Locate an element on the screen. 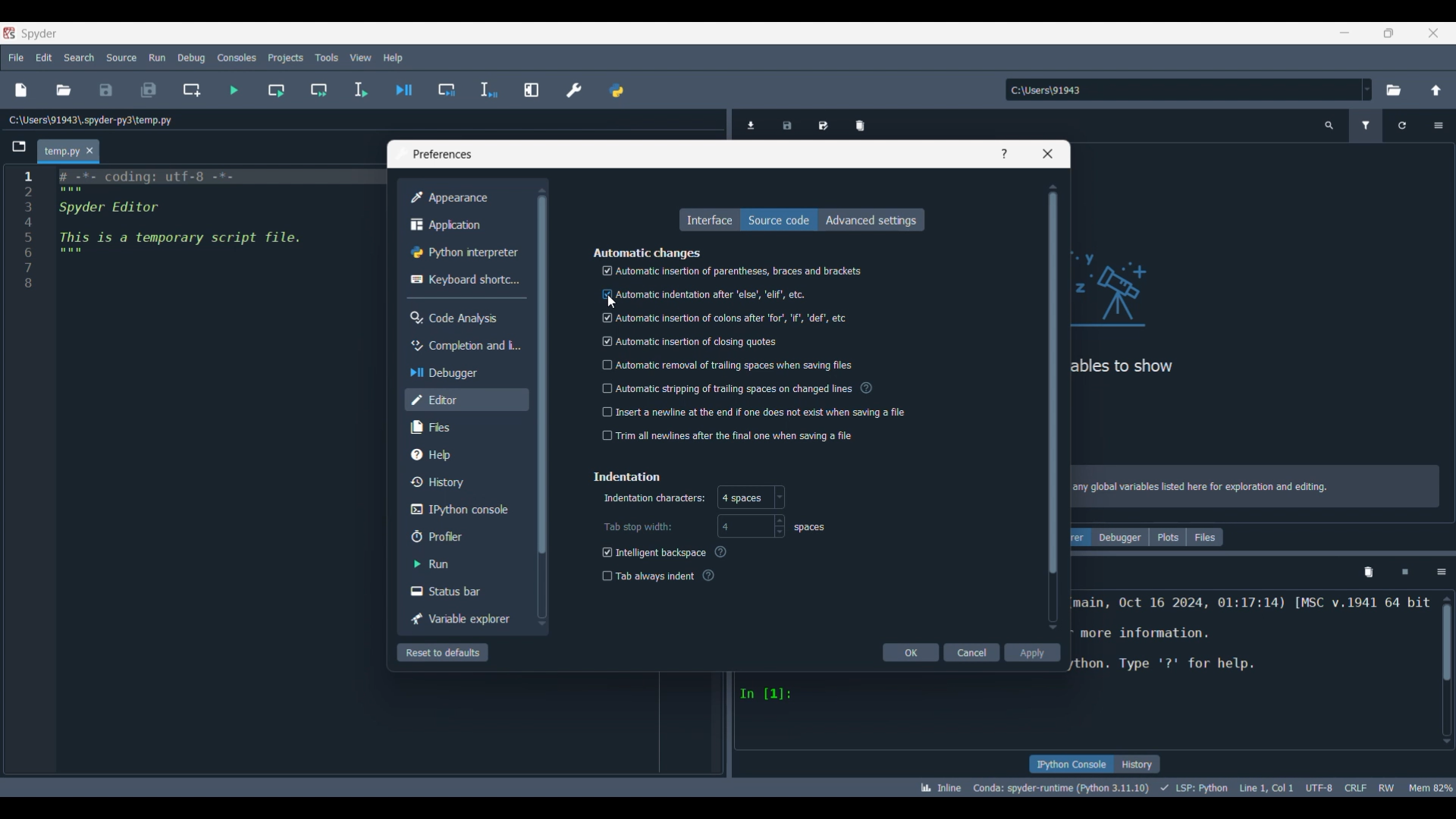  OK is located at coordinates (910, 652).